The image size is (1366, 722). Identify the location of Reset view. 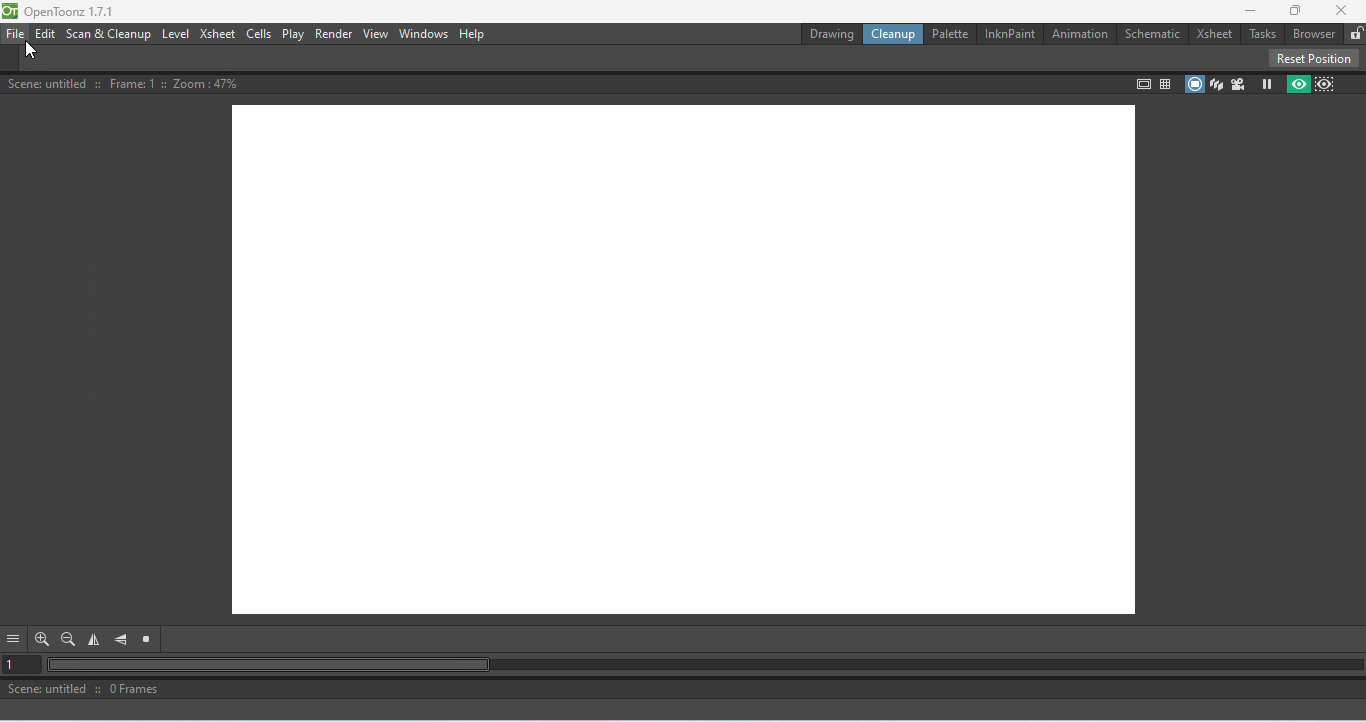
(150, 640).